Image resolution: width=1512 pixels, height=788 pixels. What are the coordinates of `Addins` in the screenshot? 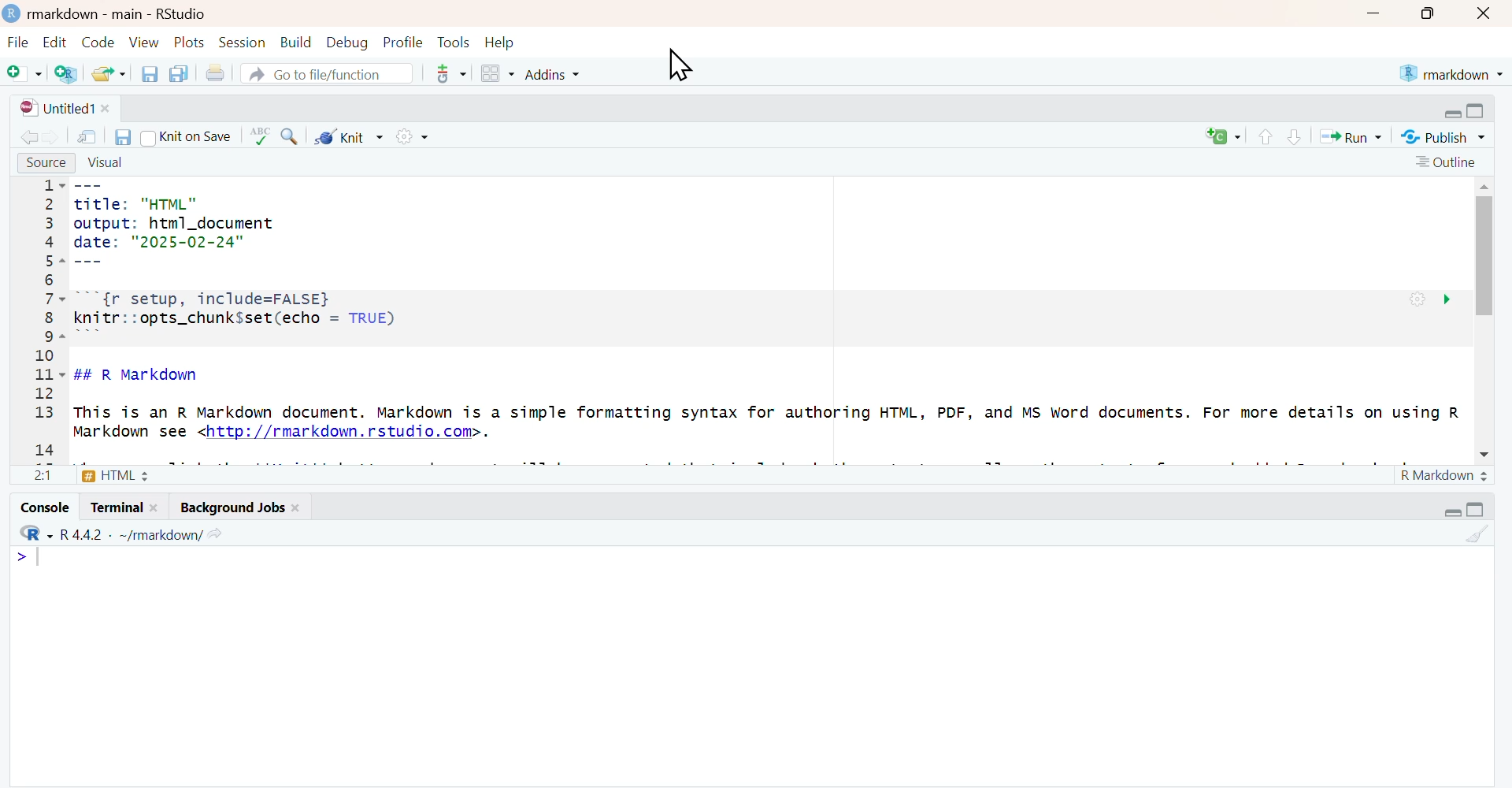 It's located at (550, 73).